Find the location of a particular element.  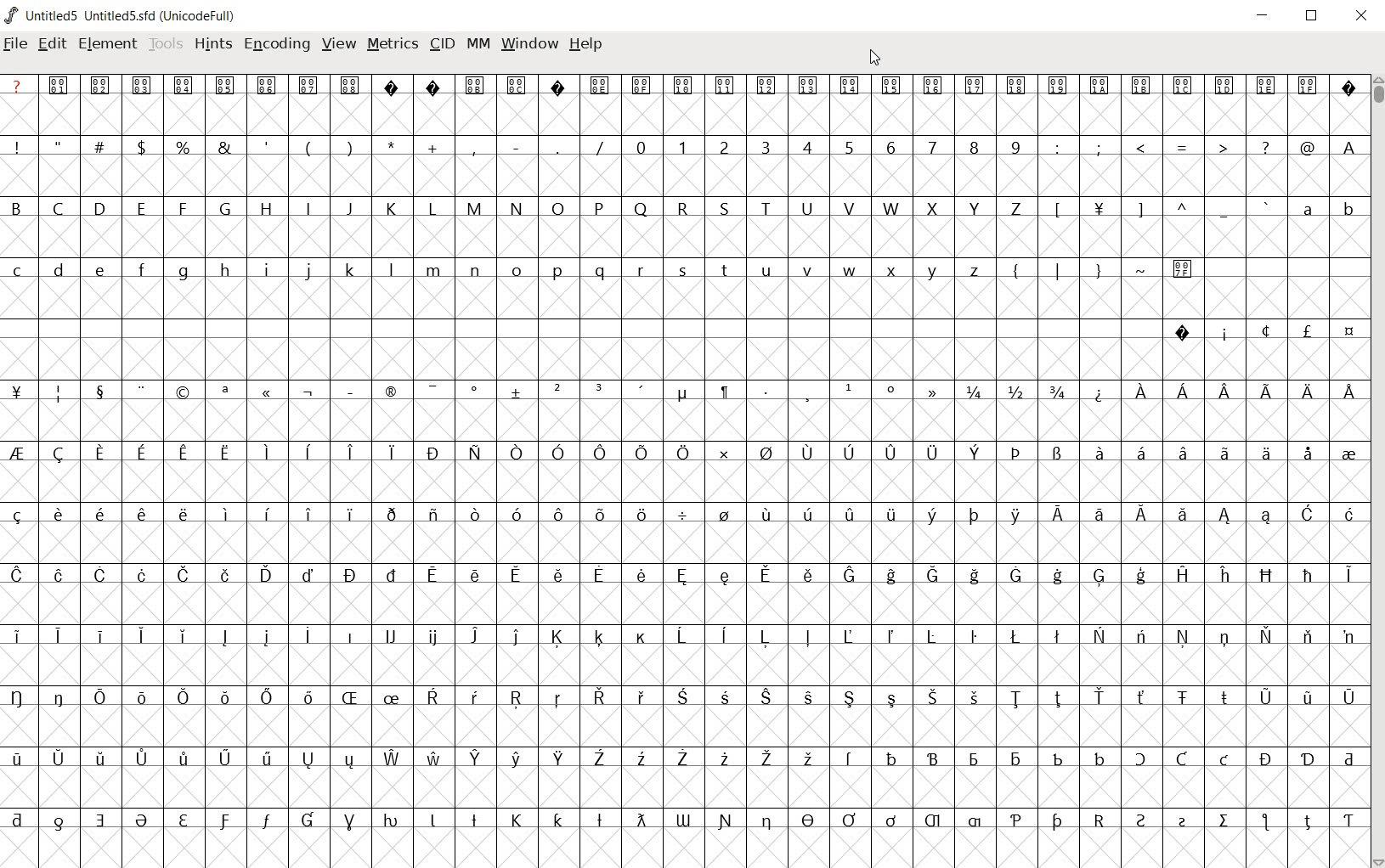

Symbol is located at coordinates (98, 696).